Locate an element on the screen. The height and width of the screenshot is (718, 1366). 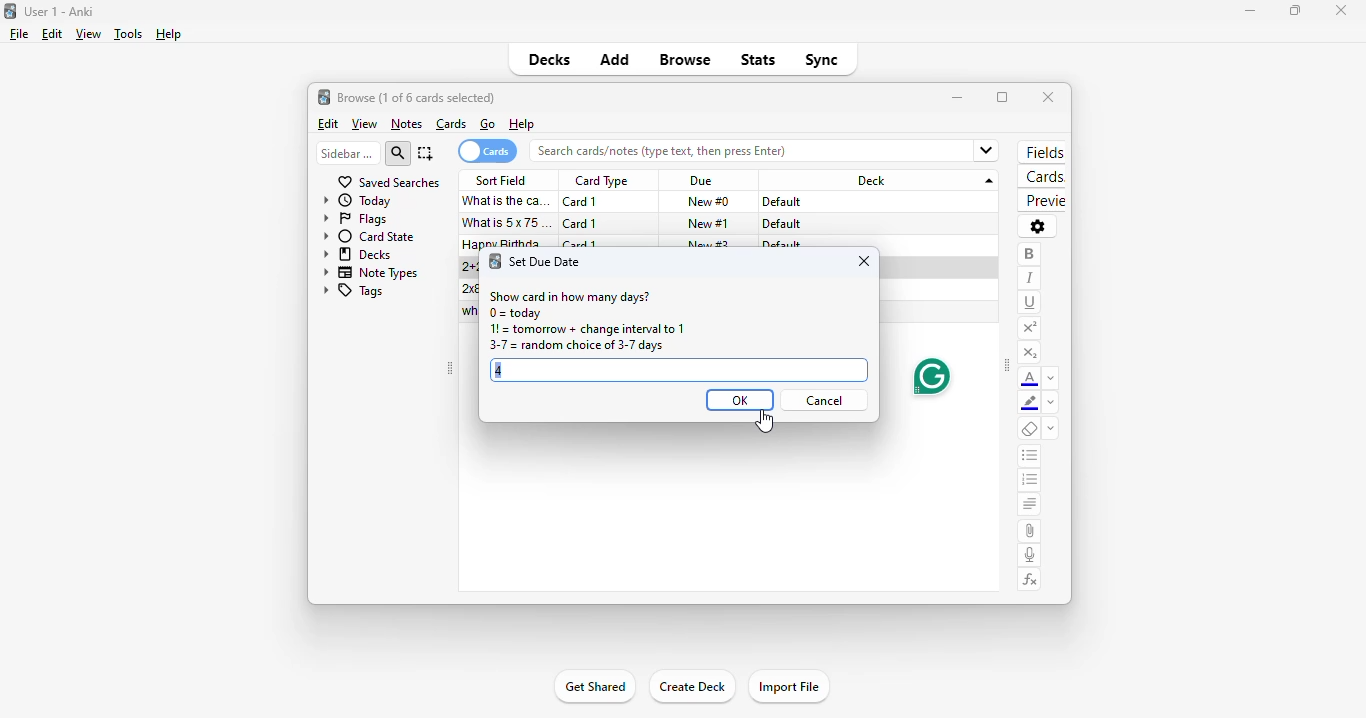
saved searches is located at coordinates (388, 182).